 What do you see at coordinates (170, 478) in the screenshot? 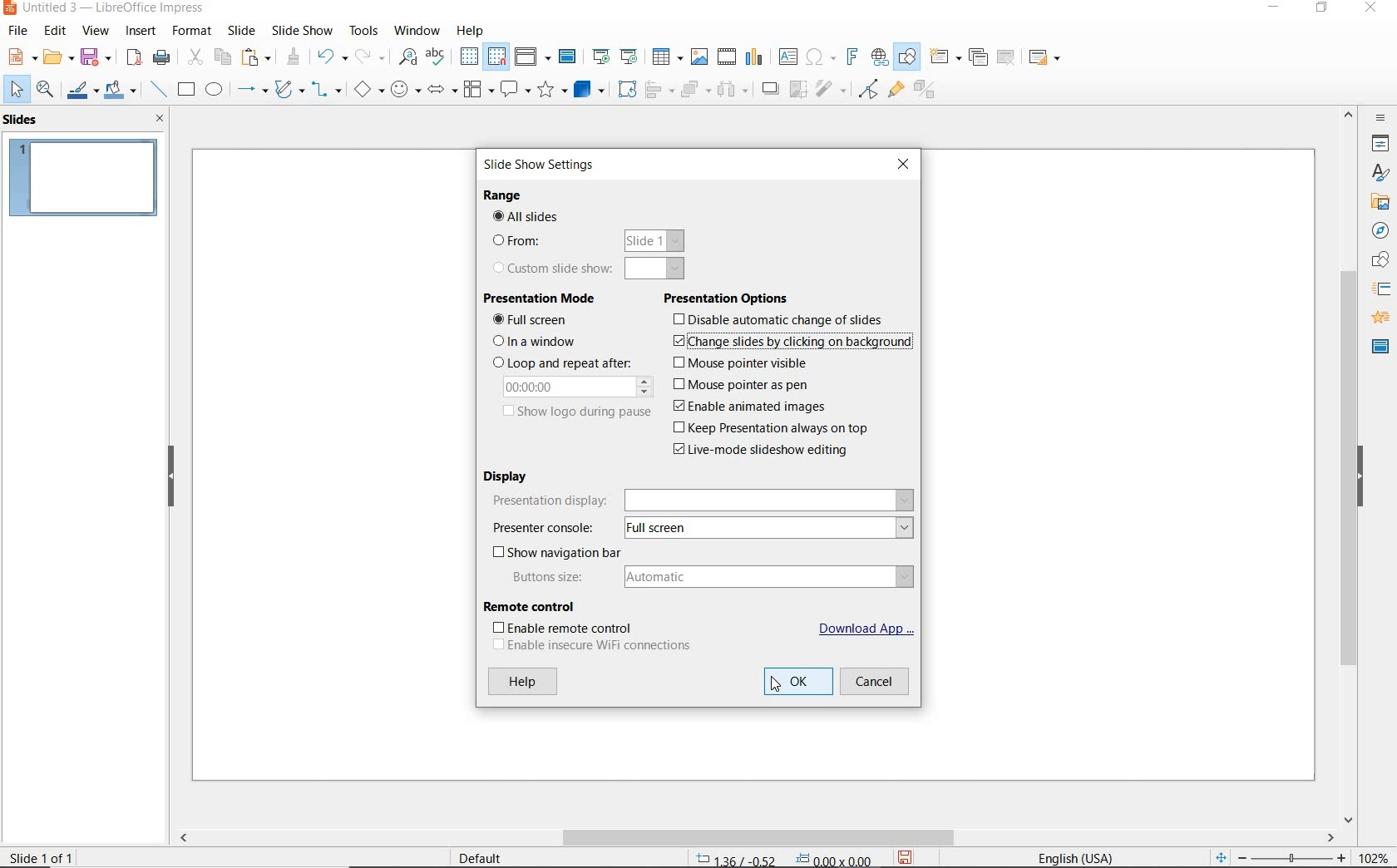
I see `HIDE` at bounding box center [170, 478].